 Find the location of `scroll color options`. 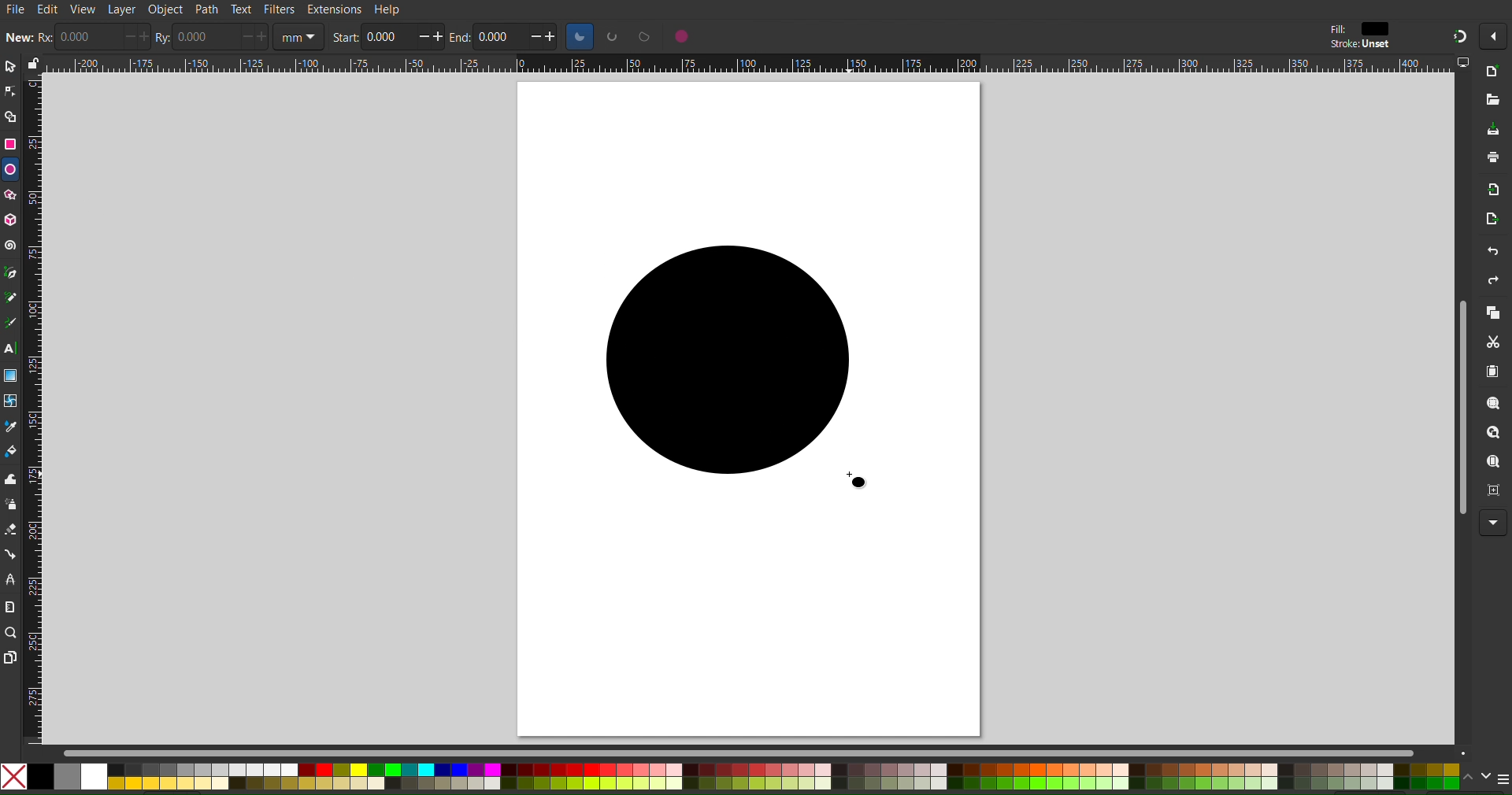

scroll color options is located at coordinates (1477, 781).